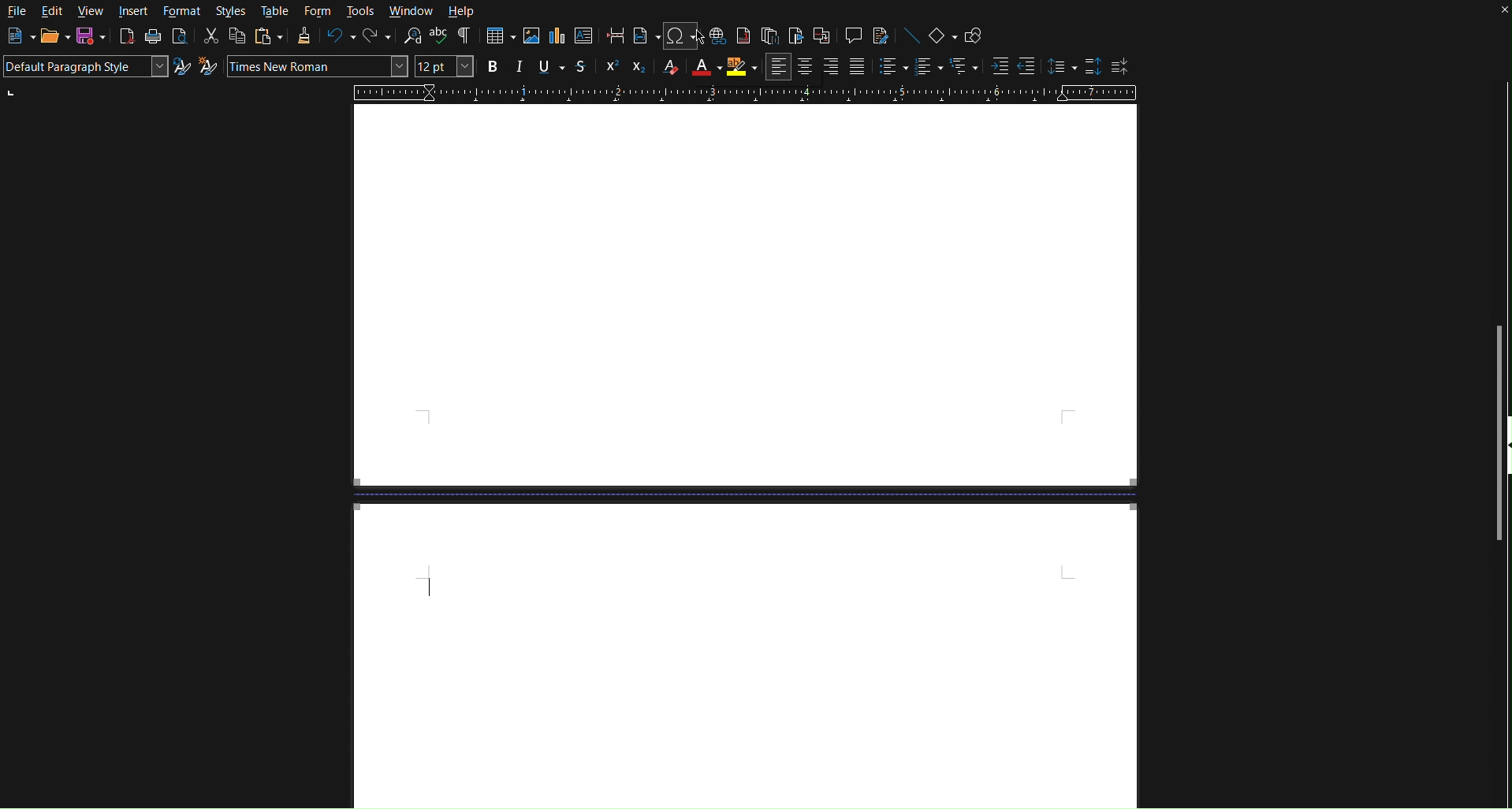 The height and width of the screenshot is (809, 1512). I want to click on Justify, so click(857, 66).